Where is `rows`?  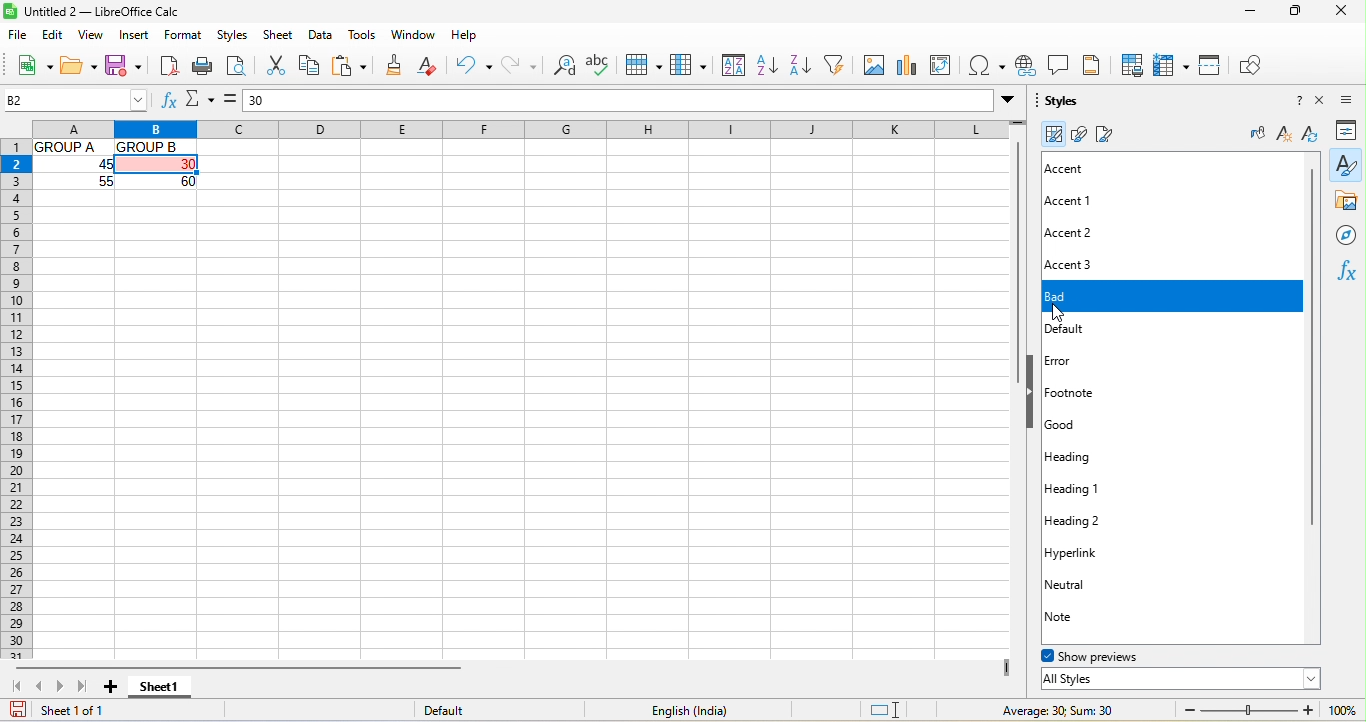 rows is located at coordinates (16, 400).